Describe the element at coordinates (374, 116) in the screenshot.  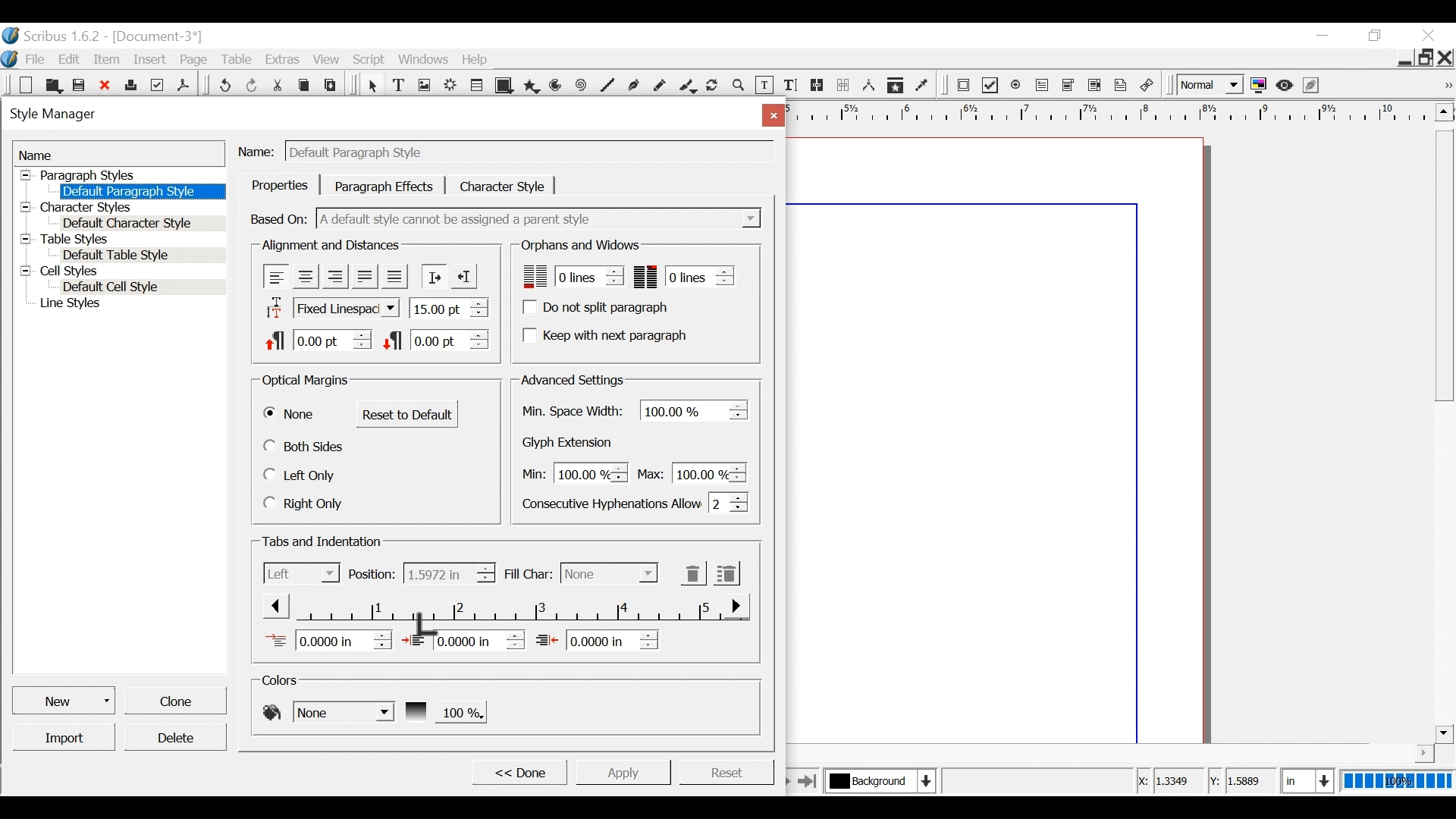
I see `Style Manager` at that location.